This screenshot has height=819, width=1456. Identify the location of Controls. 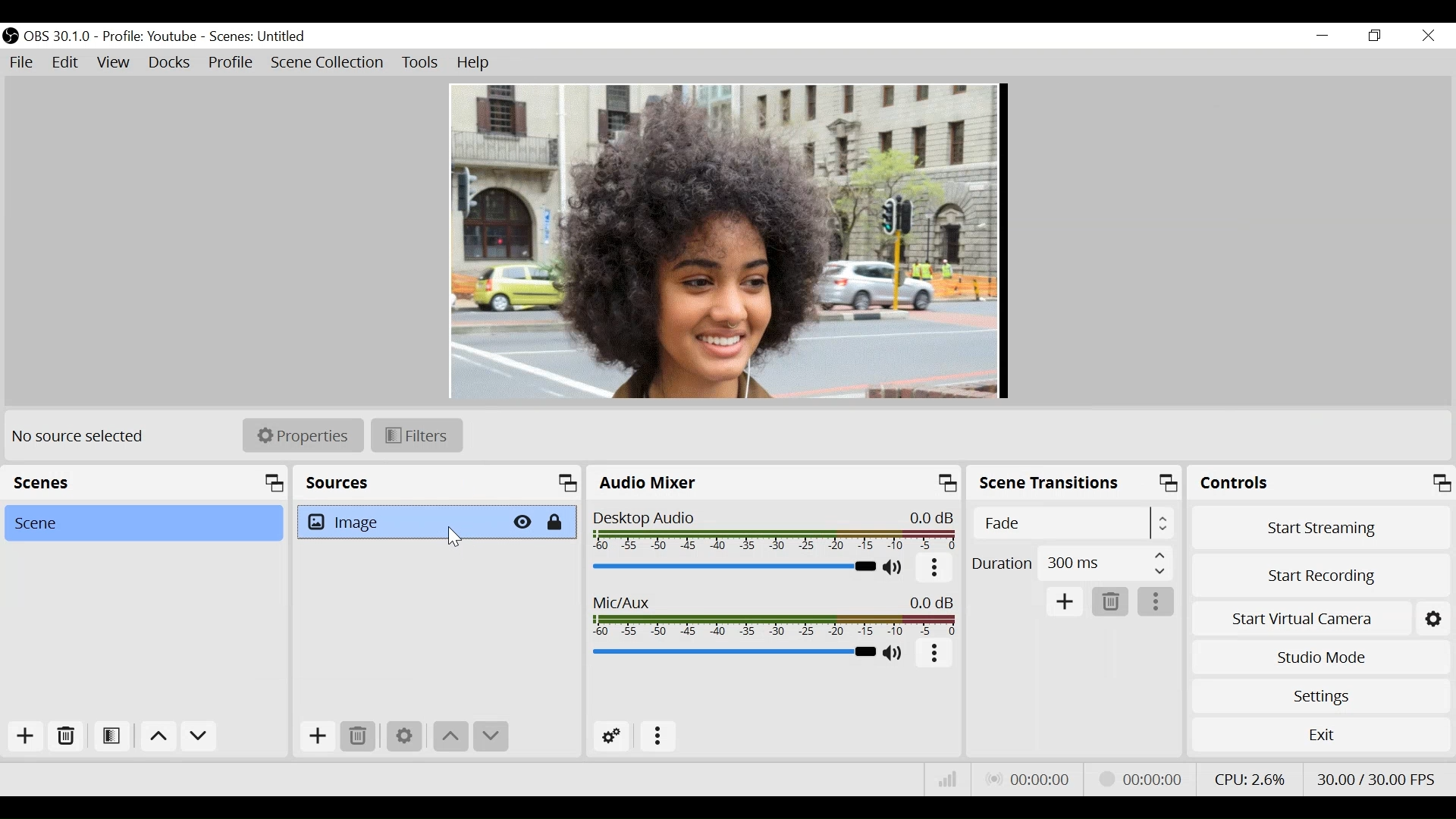
(1323, 482).